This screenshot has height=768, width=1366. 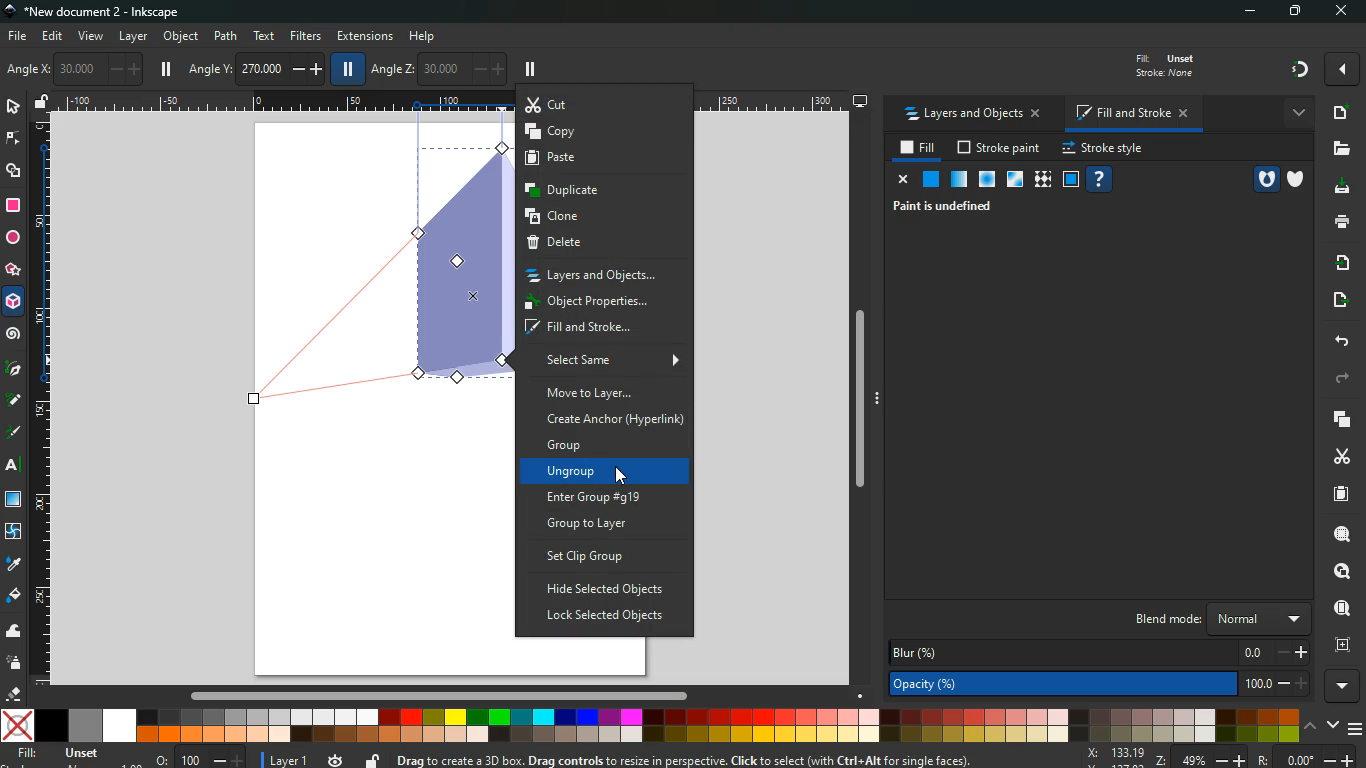 What do you see at coordinates (530, 70) in the screenshot?
I see `pause` at bounding box center [530, 70].